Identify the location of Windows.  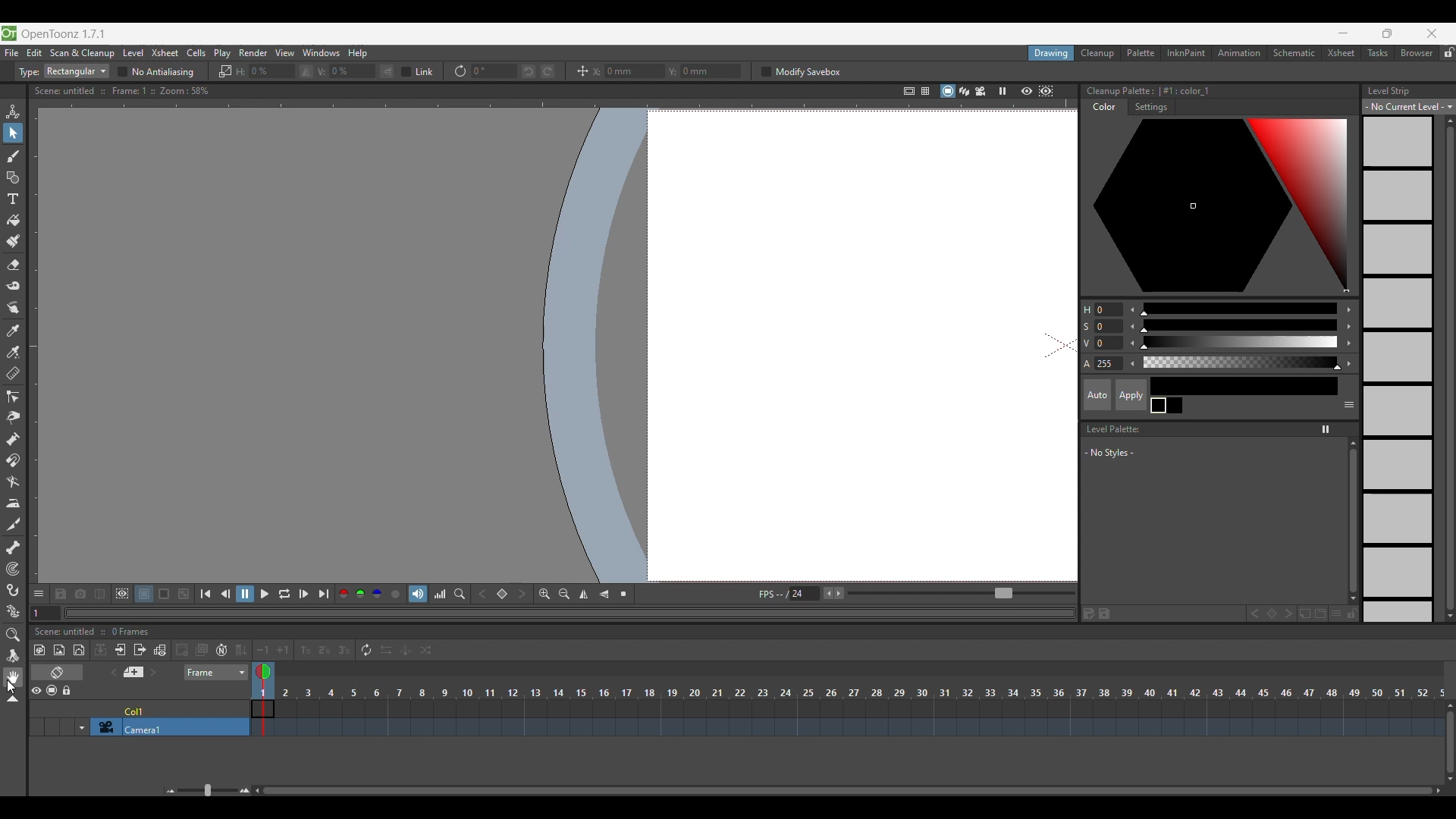
(322, 52).